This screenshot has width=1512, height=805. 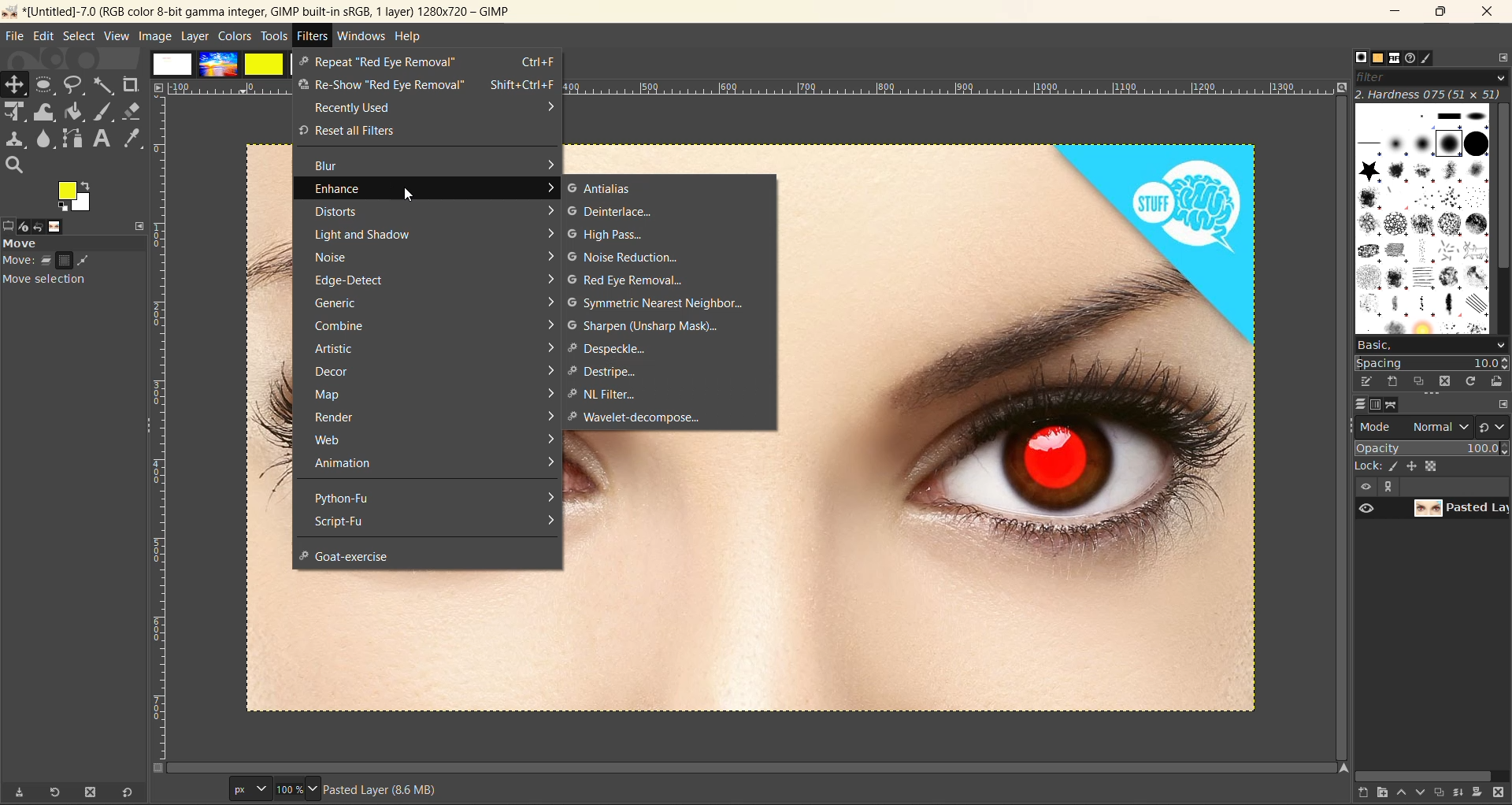 I want to click on select, so click(x=78, y=35).